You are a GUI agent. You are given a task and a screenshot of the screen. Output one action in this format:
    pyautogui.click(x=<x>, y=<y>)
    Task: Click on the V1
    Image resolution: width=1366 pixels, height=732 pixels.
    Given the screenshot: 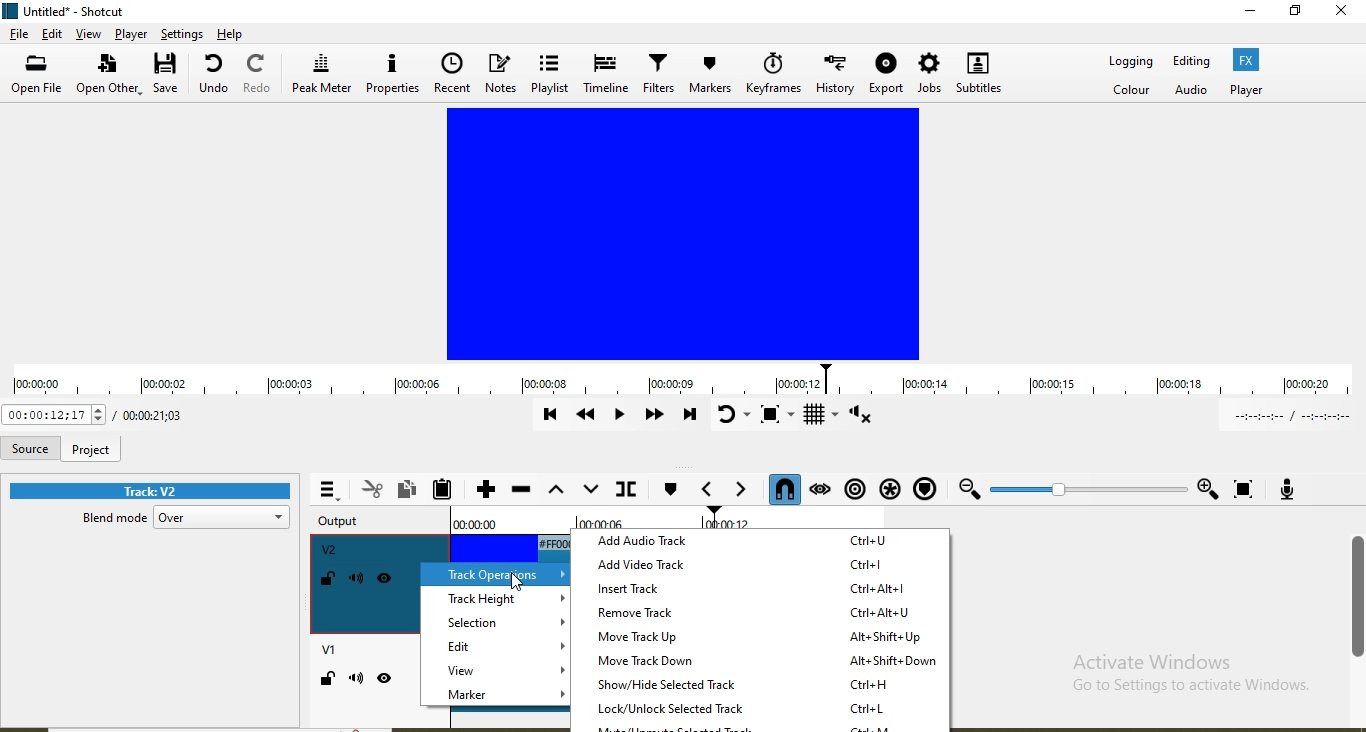 What is the action you would take?
    pyautogui.click(x=327, y=652)
    